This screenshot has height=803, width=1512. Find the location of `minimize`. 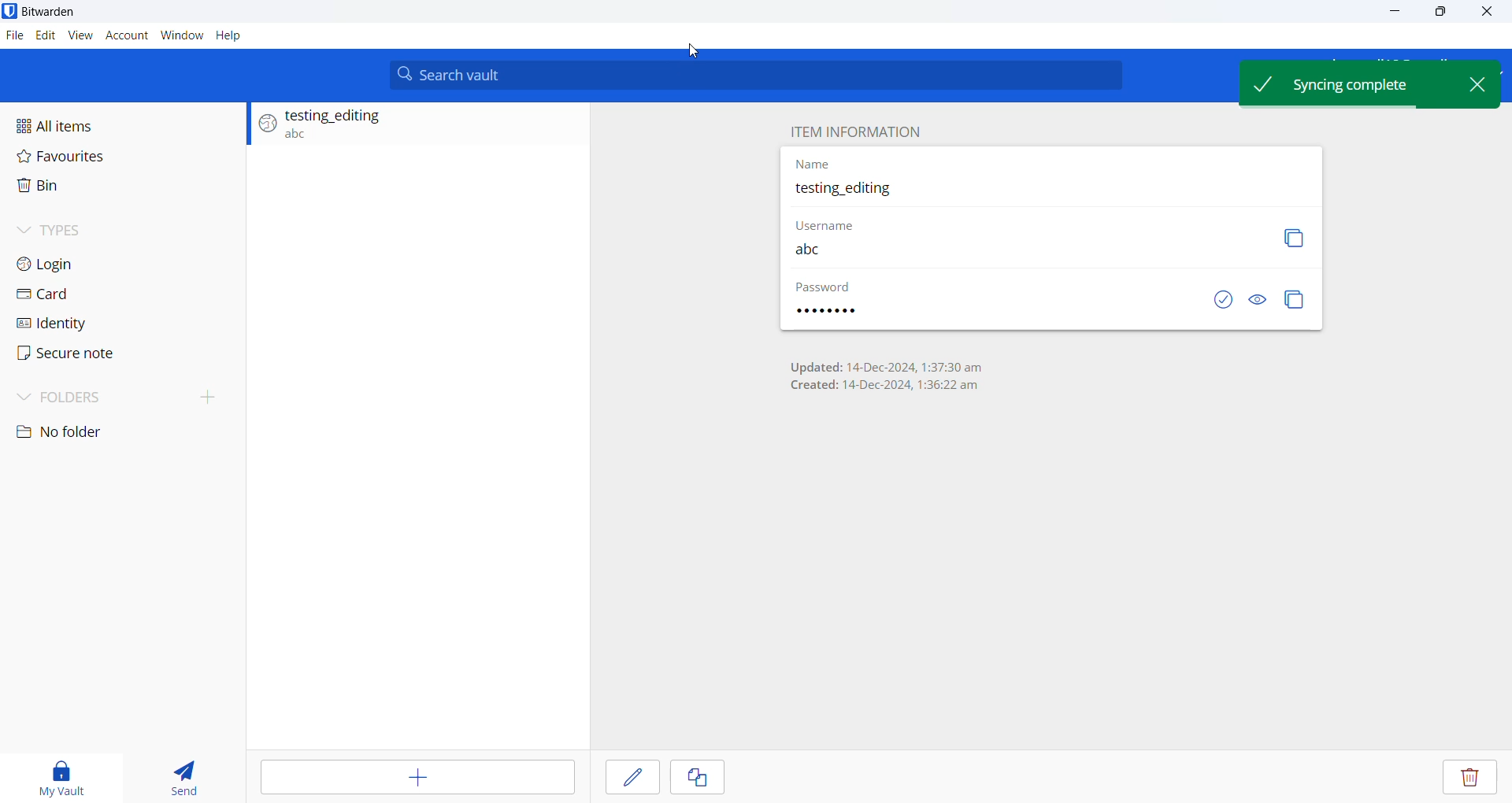

minimize is located at coordinates (1392, 17).